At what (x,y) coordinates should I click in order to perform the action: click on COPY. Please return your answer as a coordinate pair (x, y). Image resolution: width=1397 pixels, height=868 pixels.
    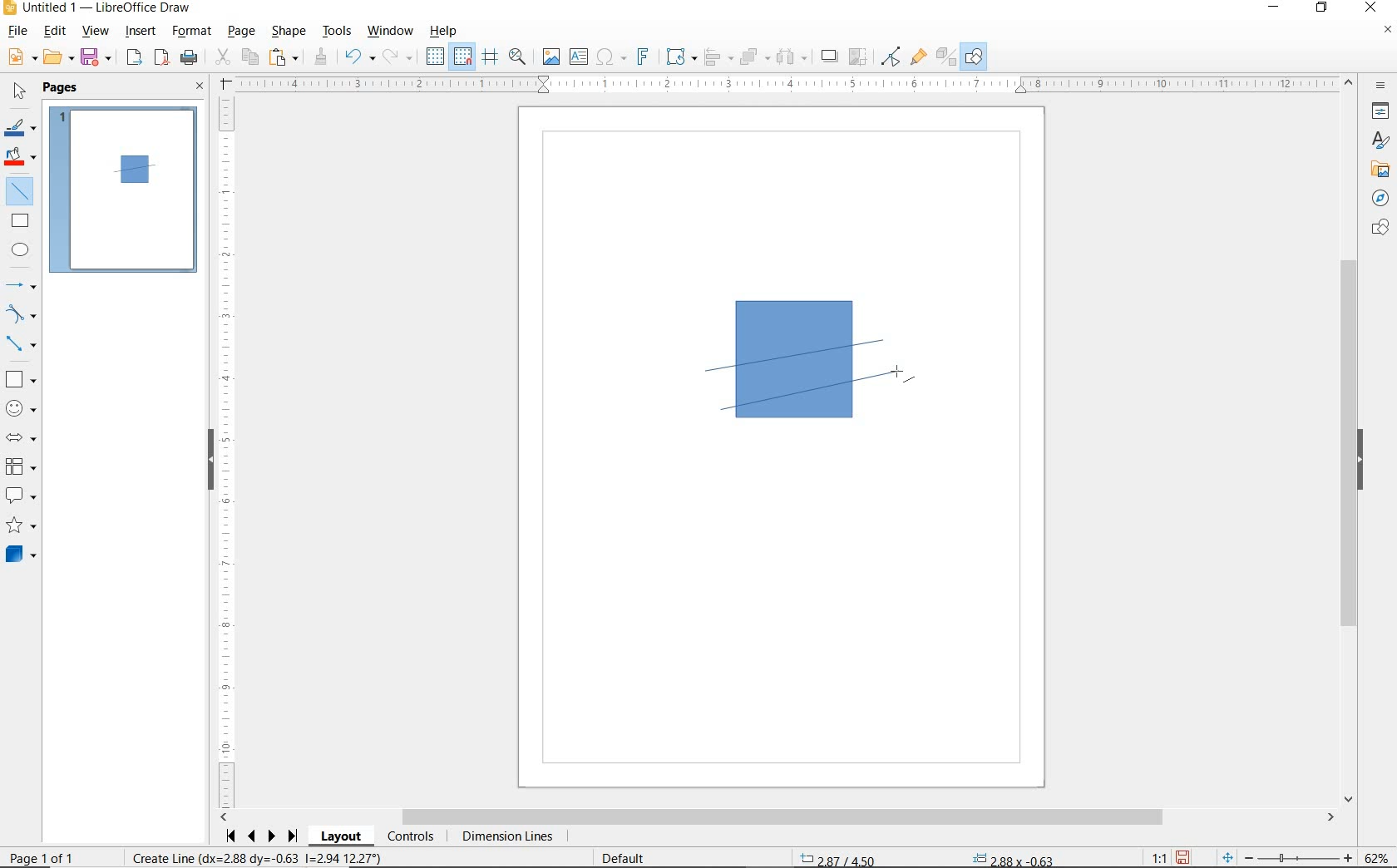
    Looking at the image, I should click on (249, 57).